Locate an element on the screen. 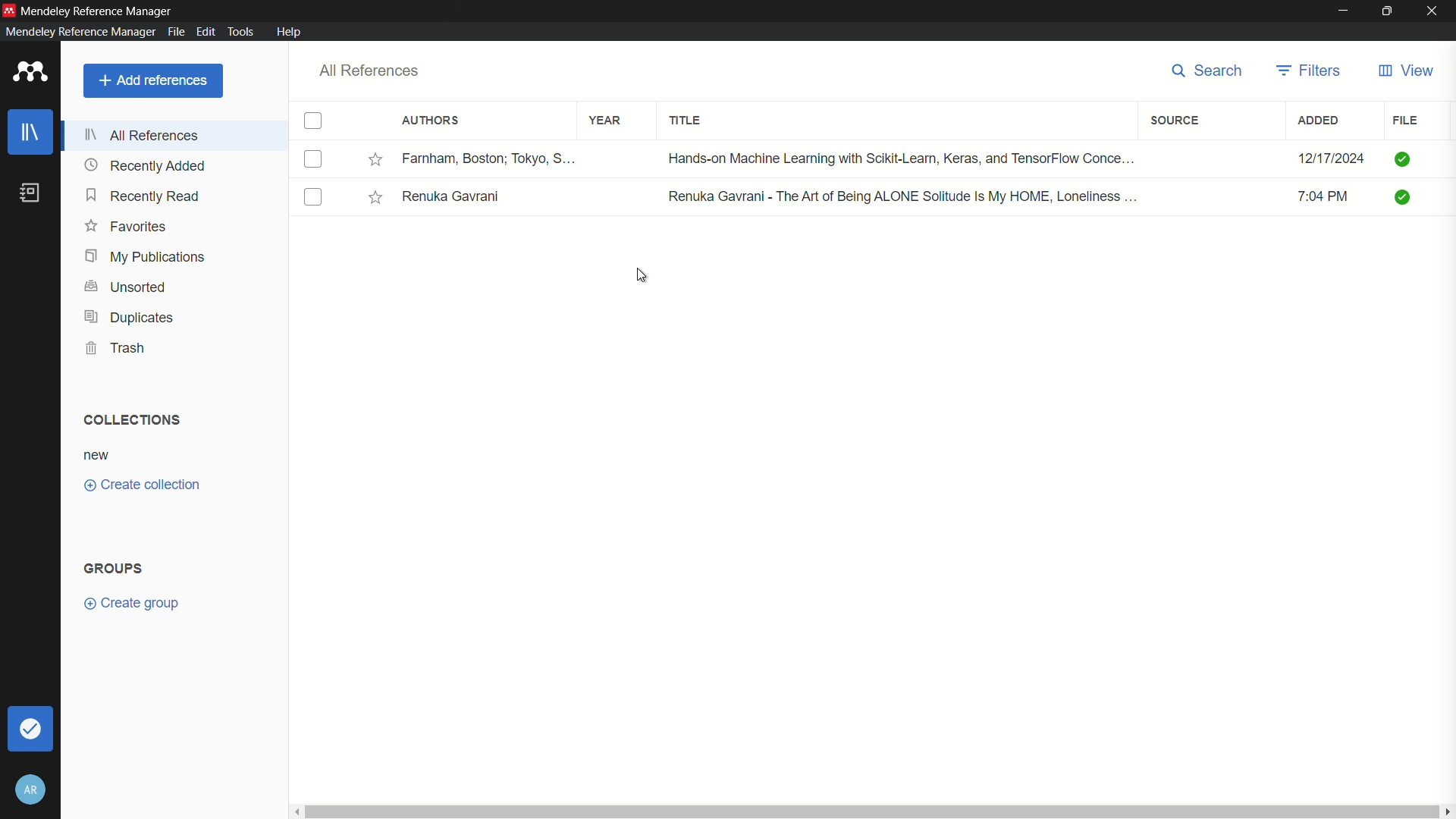 Image resolution: width=1456 pixels, height=819 pixels. create collection is located at coordinates (143, 484).